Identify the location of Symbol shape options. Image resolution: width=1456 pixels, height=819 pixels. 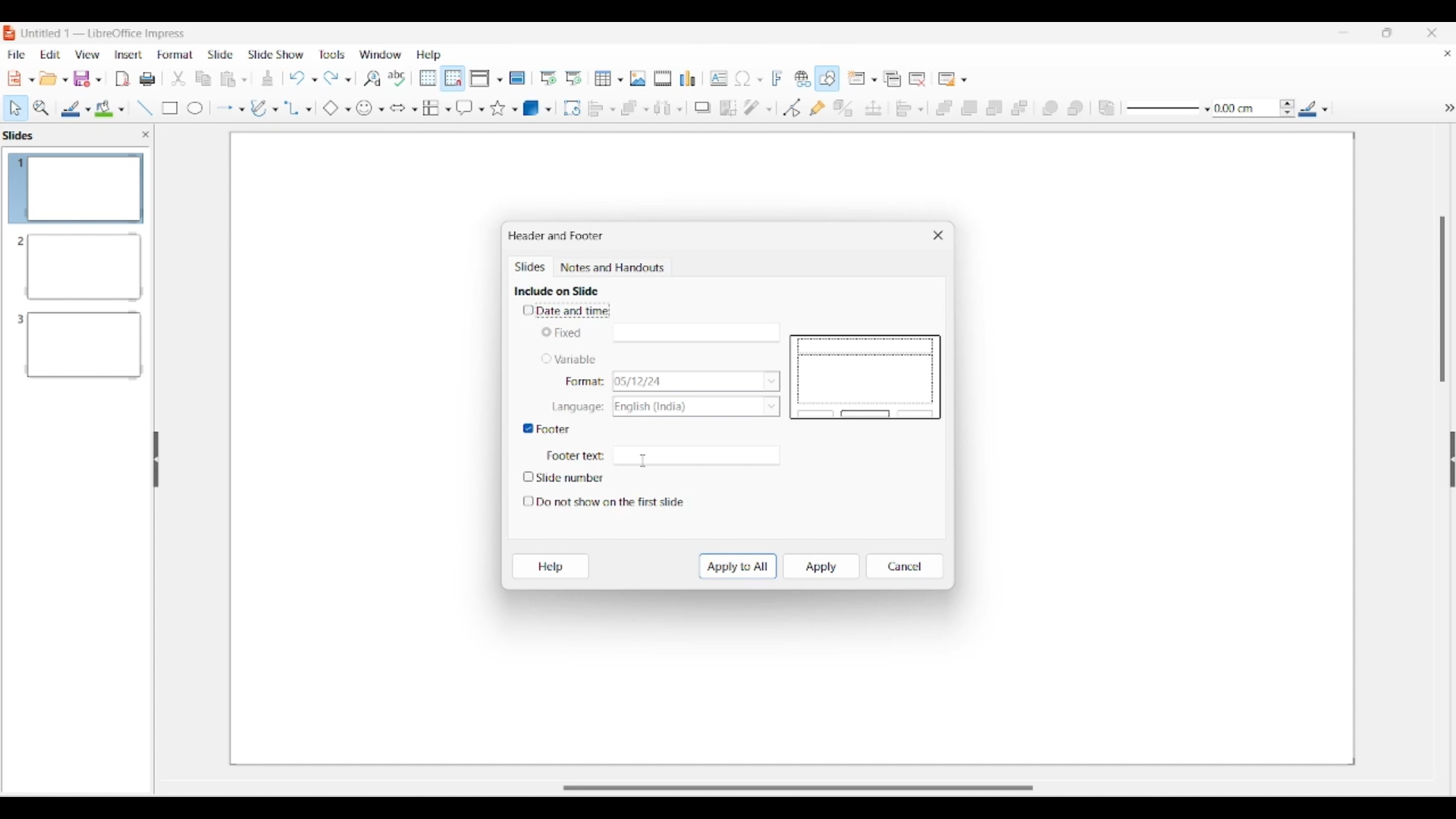
(371, 108).